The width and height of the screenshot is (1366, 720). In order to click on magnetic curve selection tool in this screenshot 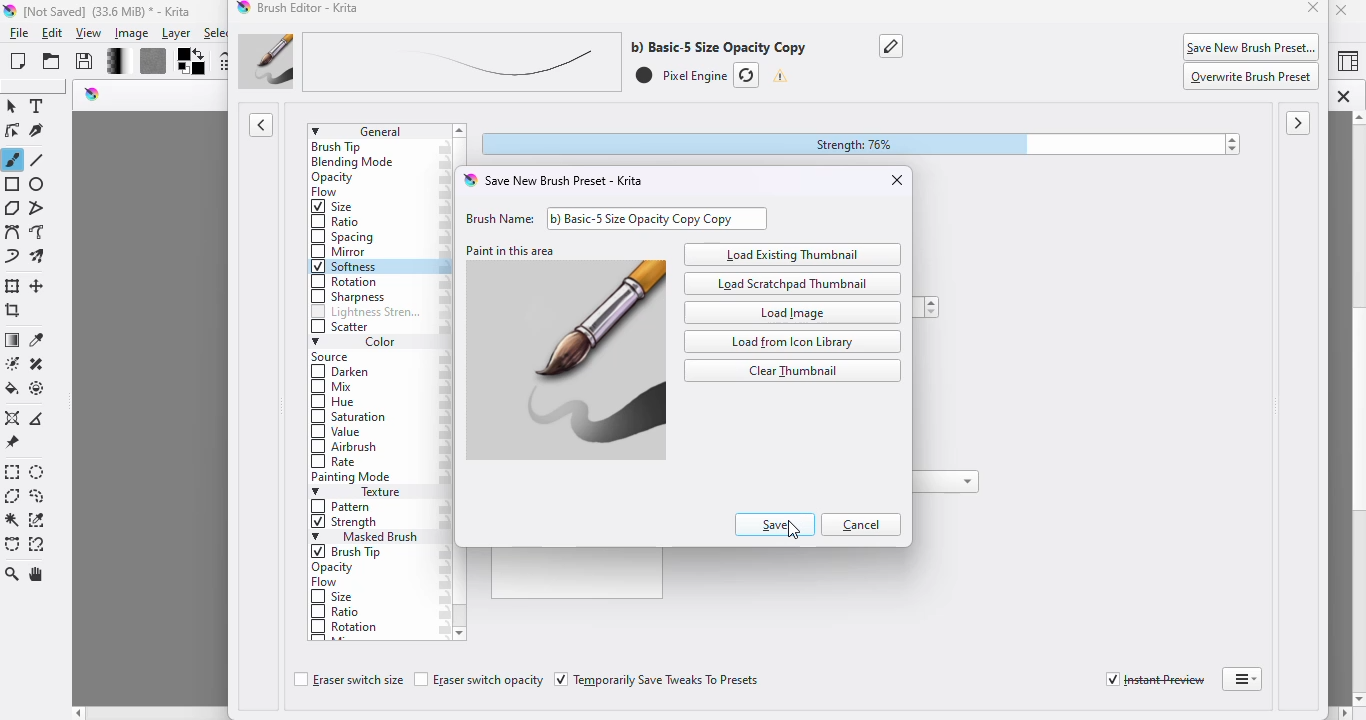, I will do `click(37, 544)`.